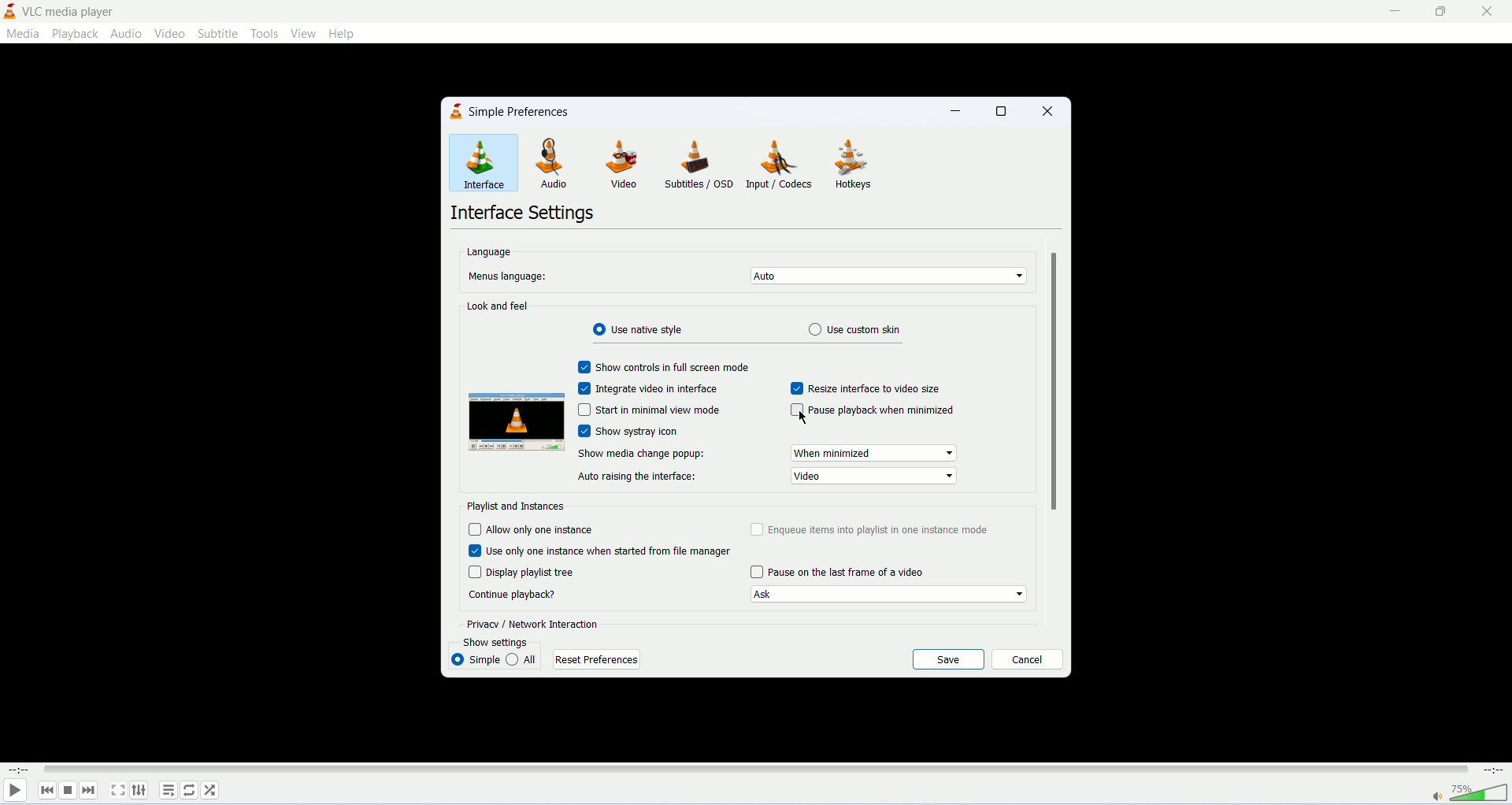  What do you see at coordinates (1391, 14) in the screenshot?
I see `minimize` at bounding box center [1391, 14].